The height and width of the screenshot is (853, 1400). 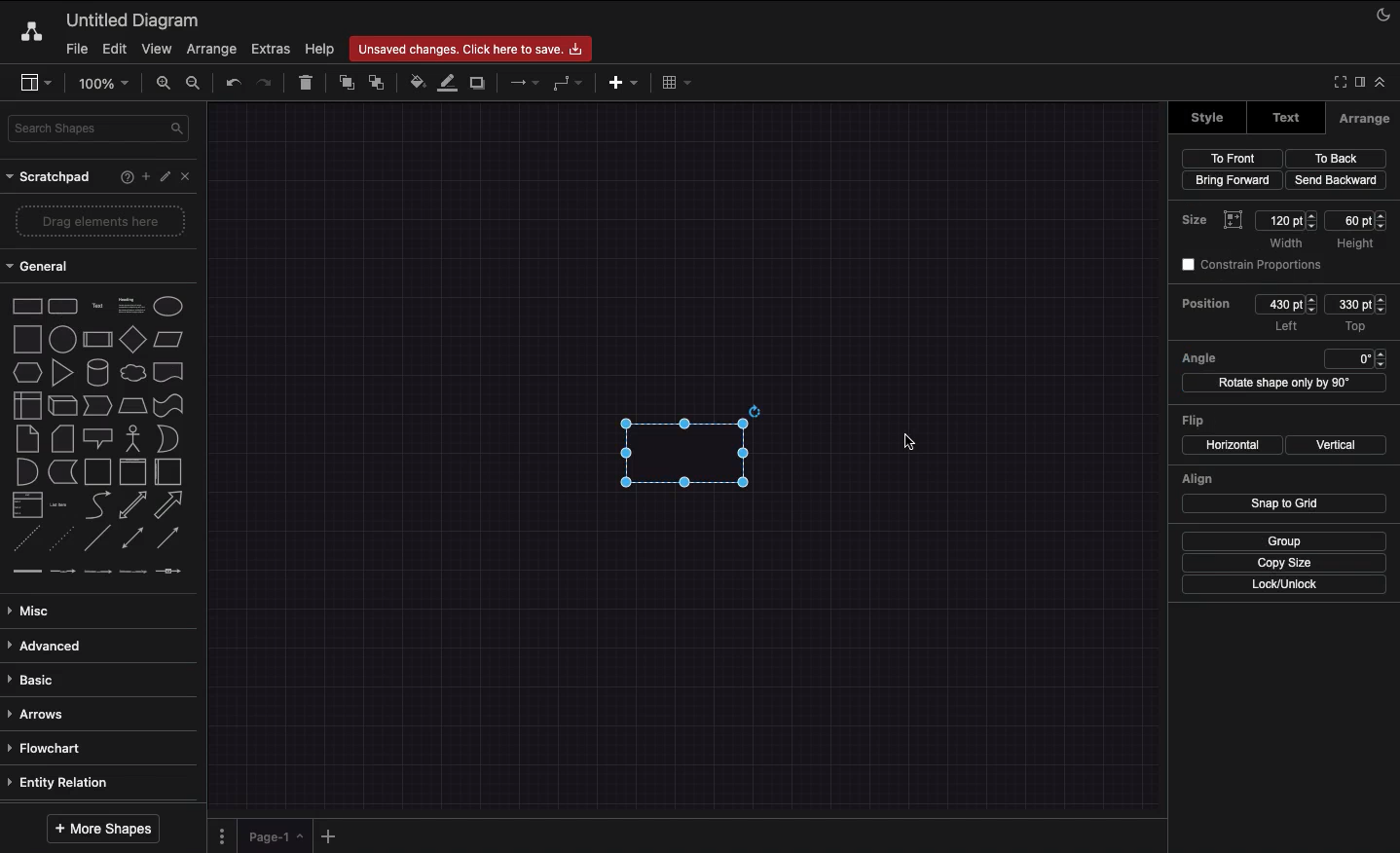 What do you see at coordinates (163, 177) in the screenshot?
I see `Edit` at bounding box center [163, 177].